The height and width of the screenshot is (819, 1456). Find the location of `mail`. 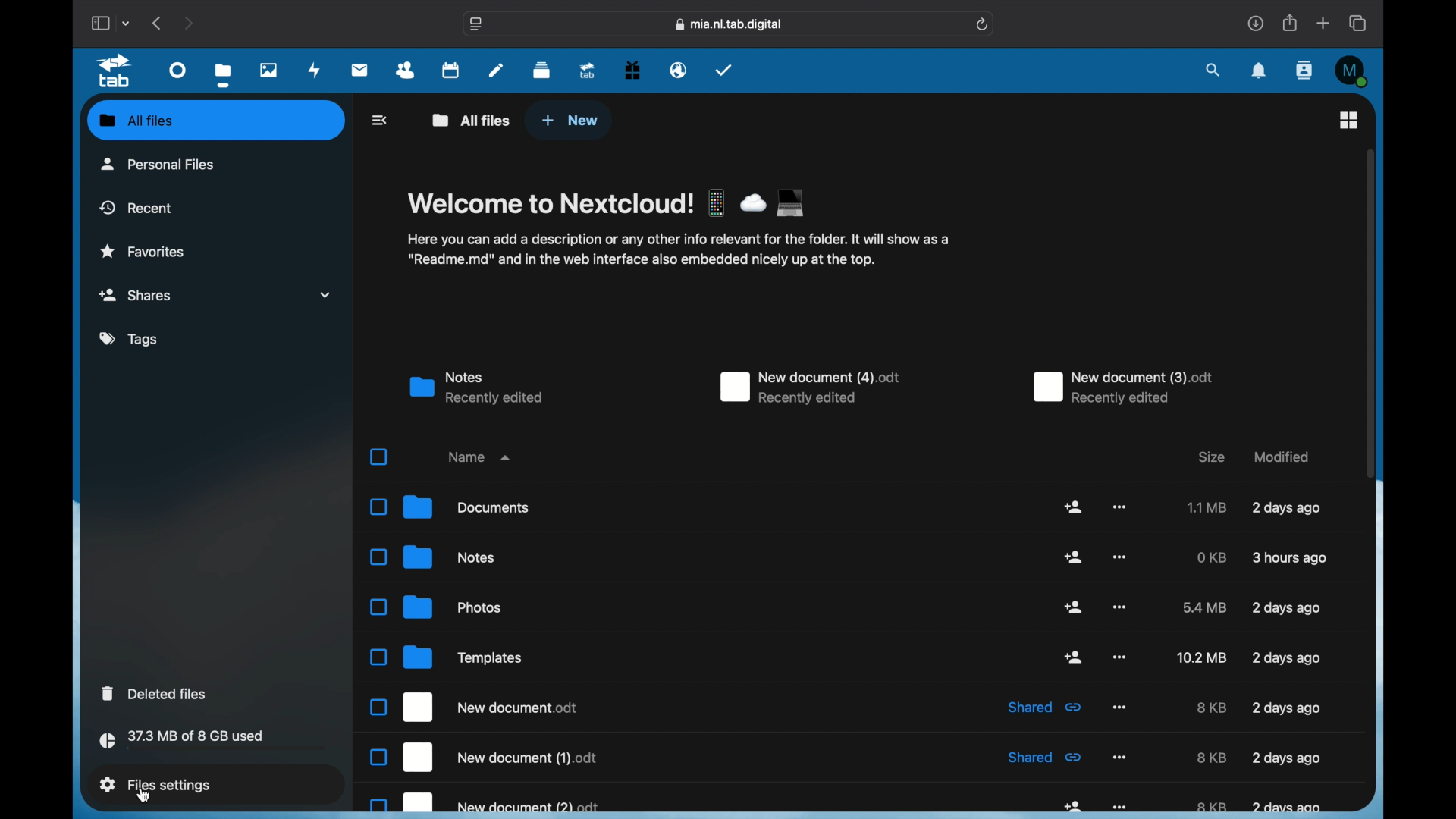

mail is located at coordinates (360, 70).